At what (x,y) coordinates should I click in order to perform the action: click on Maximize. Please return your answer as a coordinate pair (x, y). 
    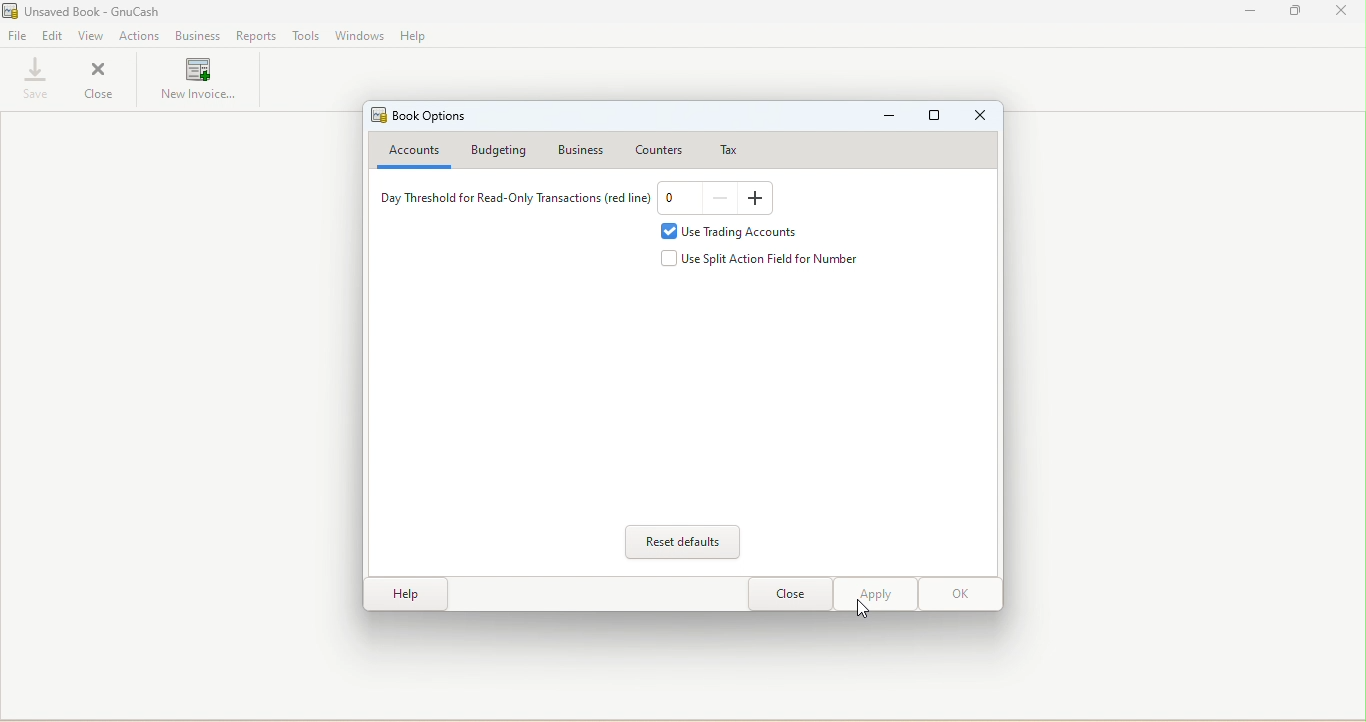
    Looking at the image, I should click on (1294, 12).